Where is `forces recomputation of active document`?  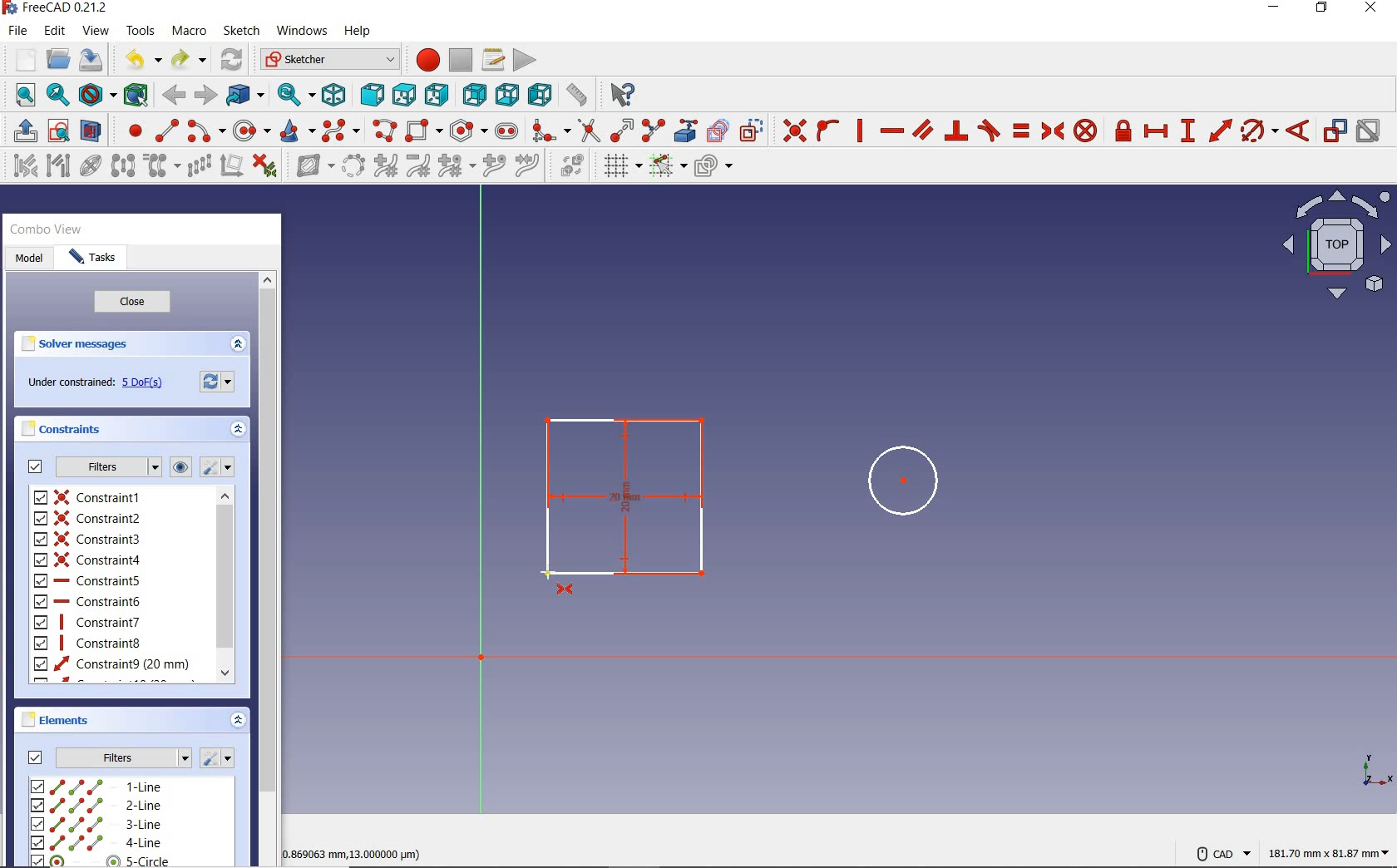 forces recomputation of active document is located at coordinates (221, 384).